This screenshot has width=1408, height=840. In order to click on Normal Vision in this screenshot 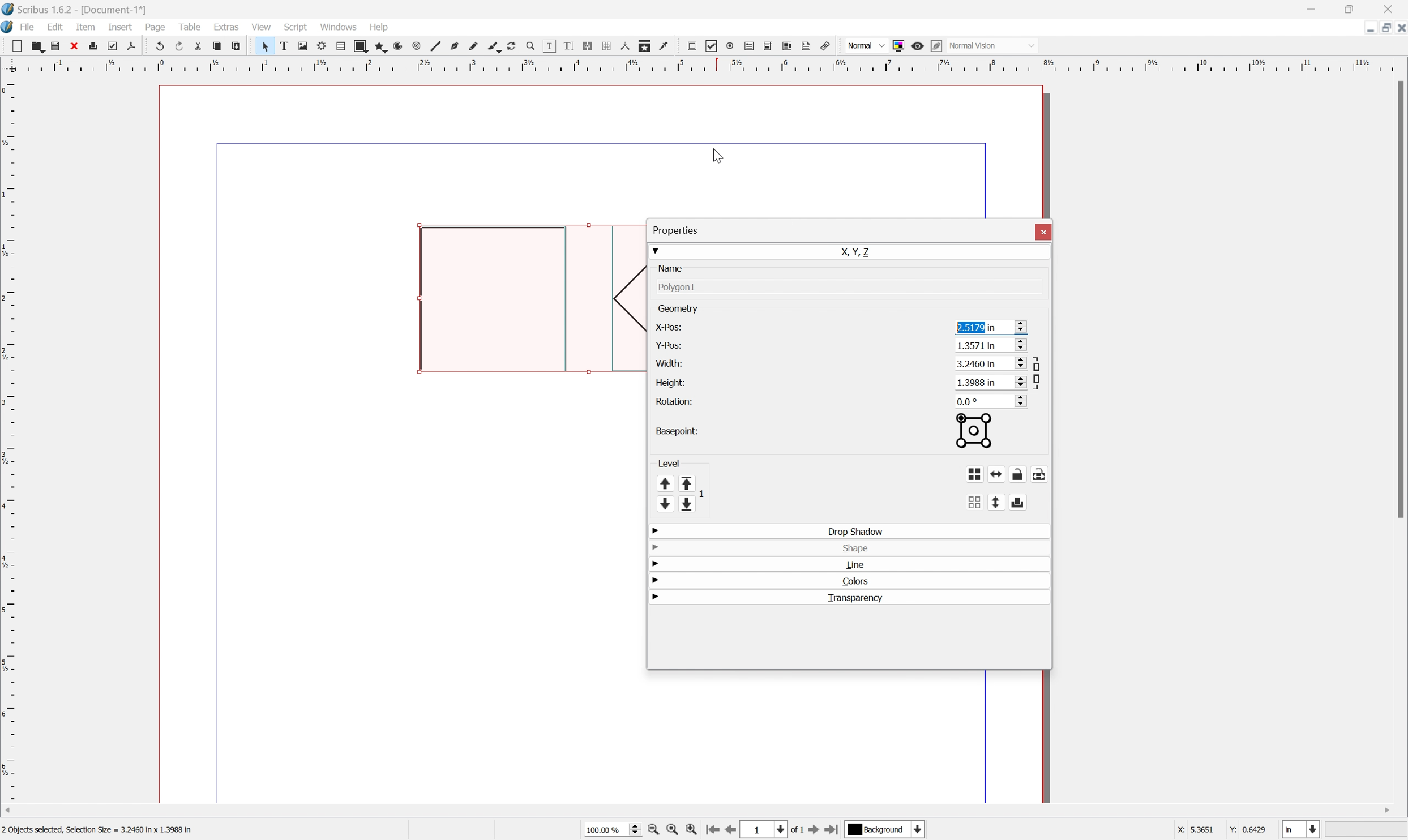, I will do `click(994, 44)`.